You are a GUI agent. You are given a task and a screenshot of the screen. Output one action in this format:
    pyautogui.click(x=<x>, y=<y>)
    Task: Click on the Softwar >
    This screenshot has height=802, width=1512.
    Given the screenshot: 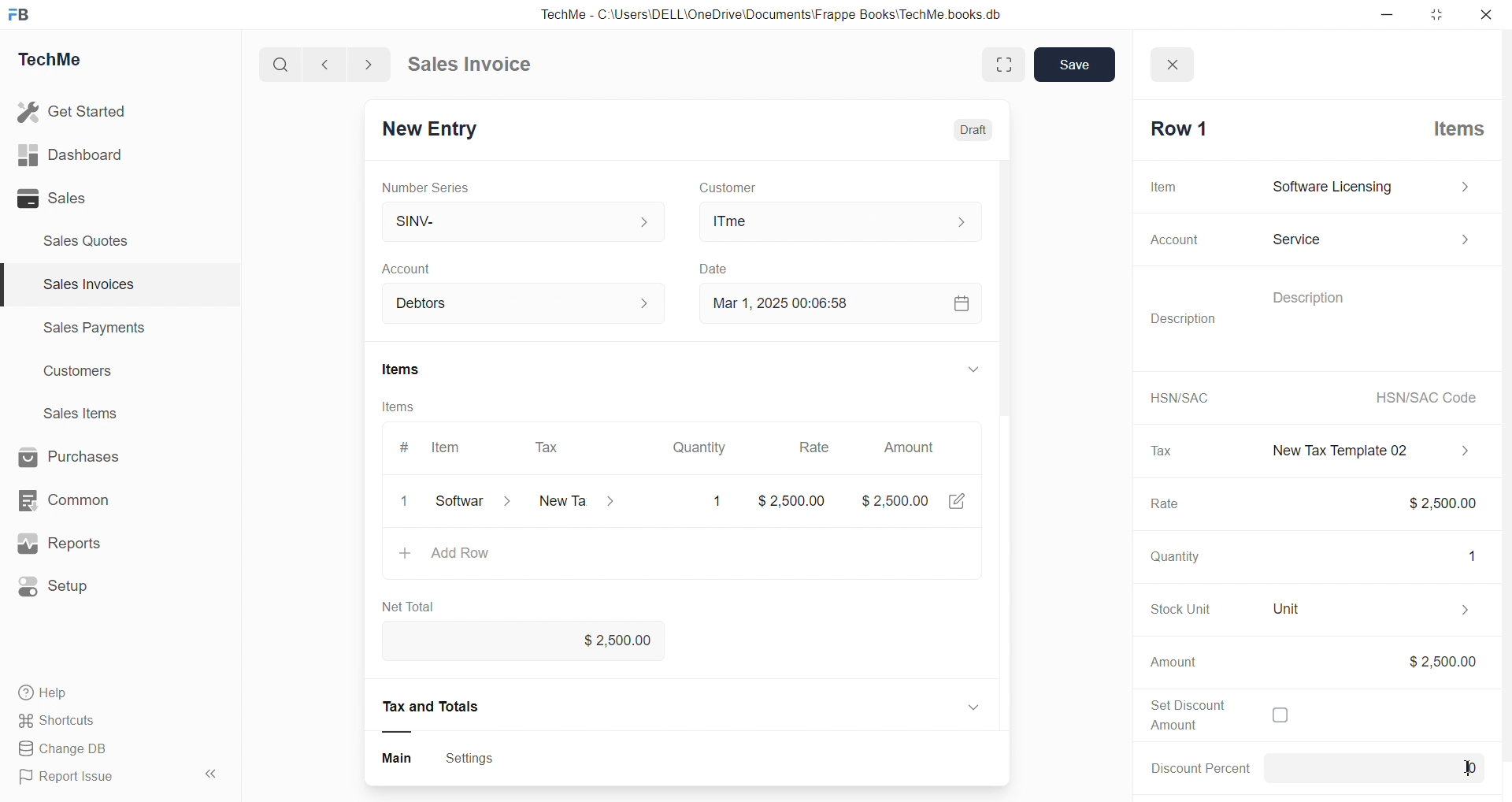 What is the action you would take?
    pyautogui.click(x=470, y=503)
    